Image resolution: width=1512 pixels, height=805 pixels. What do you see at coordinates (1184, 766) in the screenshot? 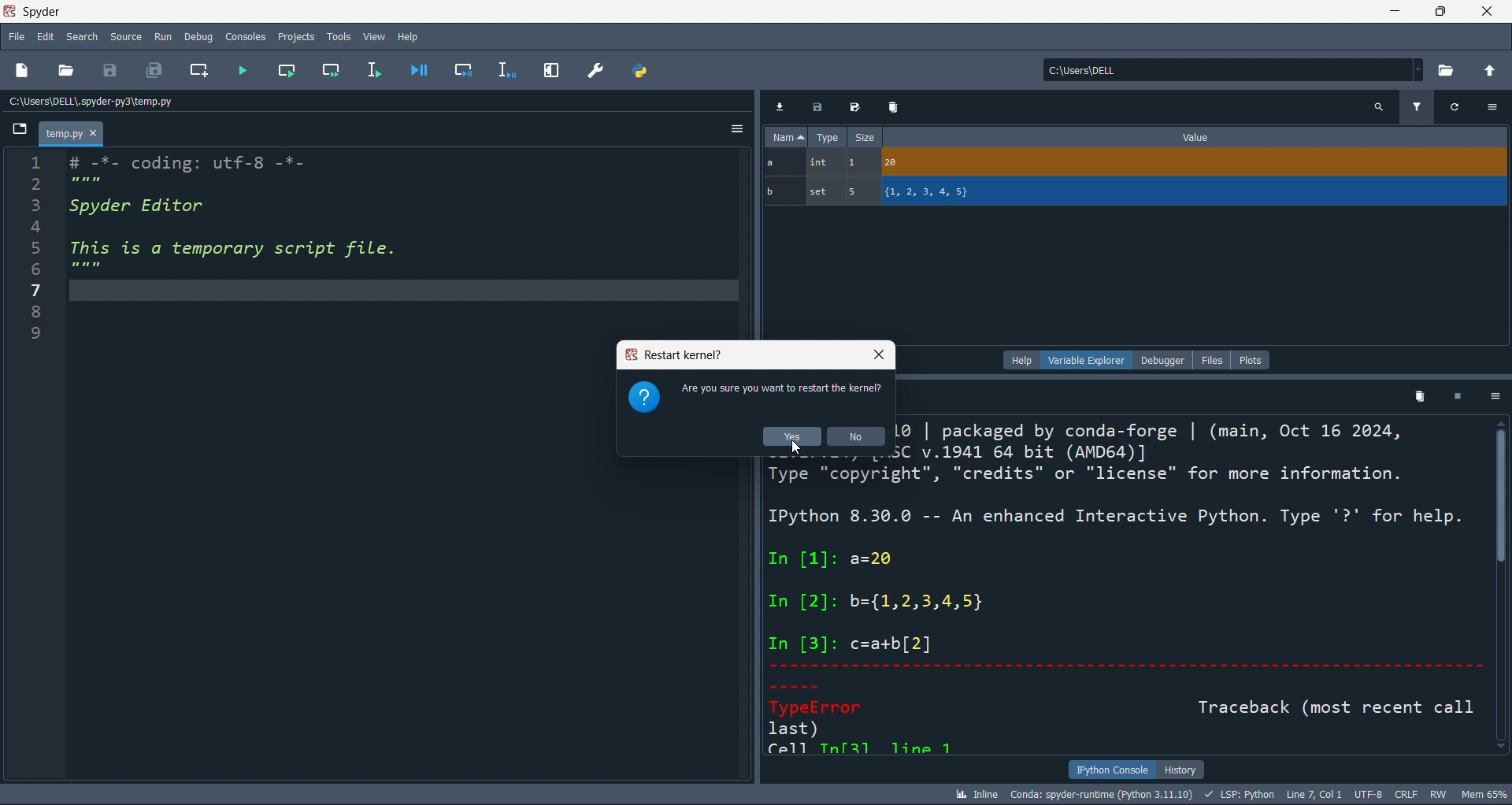
I see `HISTORY` at bounding box center [1184, 766].